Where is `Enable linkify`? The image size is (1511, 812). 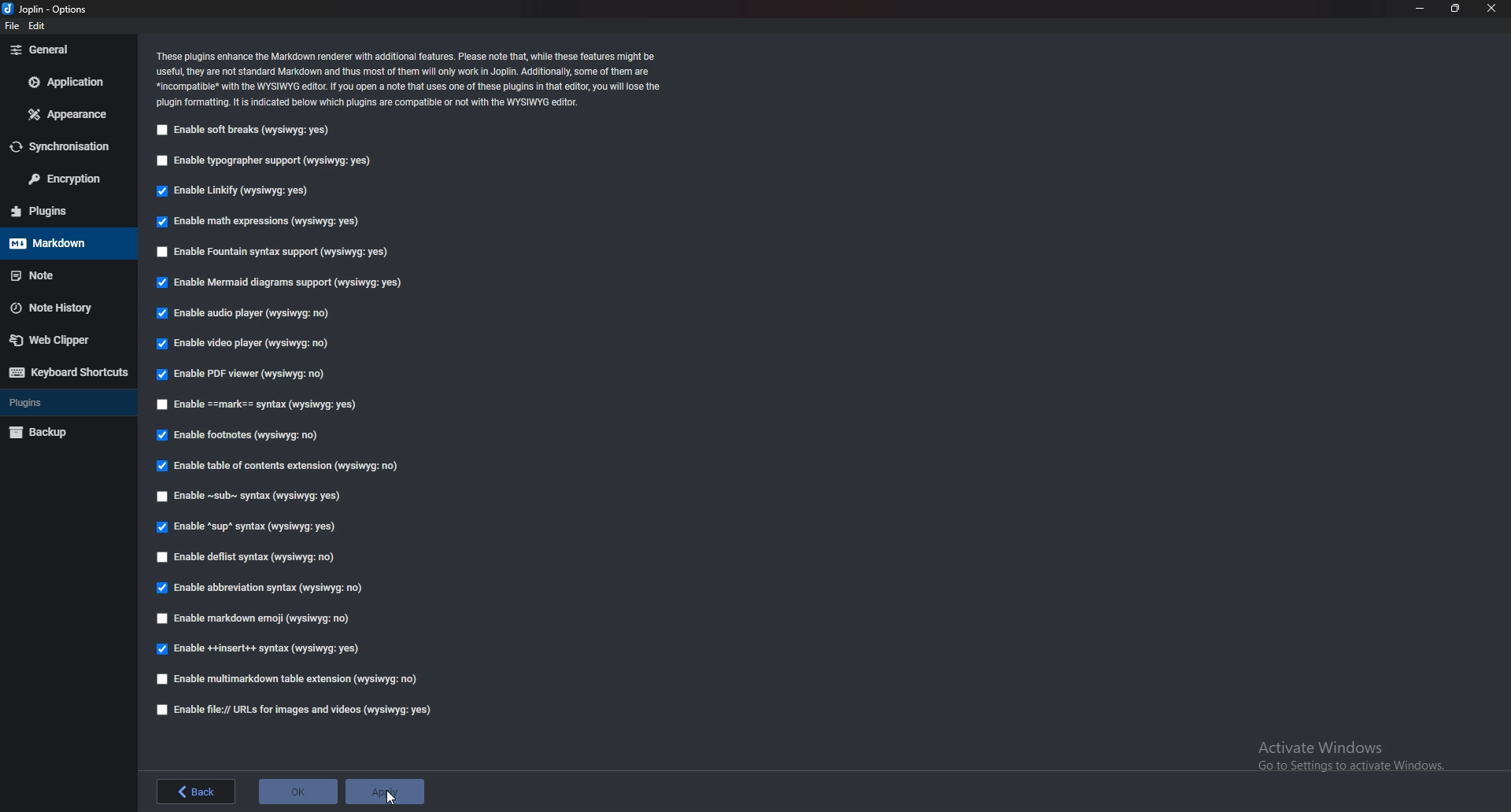
Enable linkify is located at coordinates (240, 192).